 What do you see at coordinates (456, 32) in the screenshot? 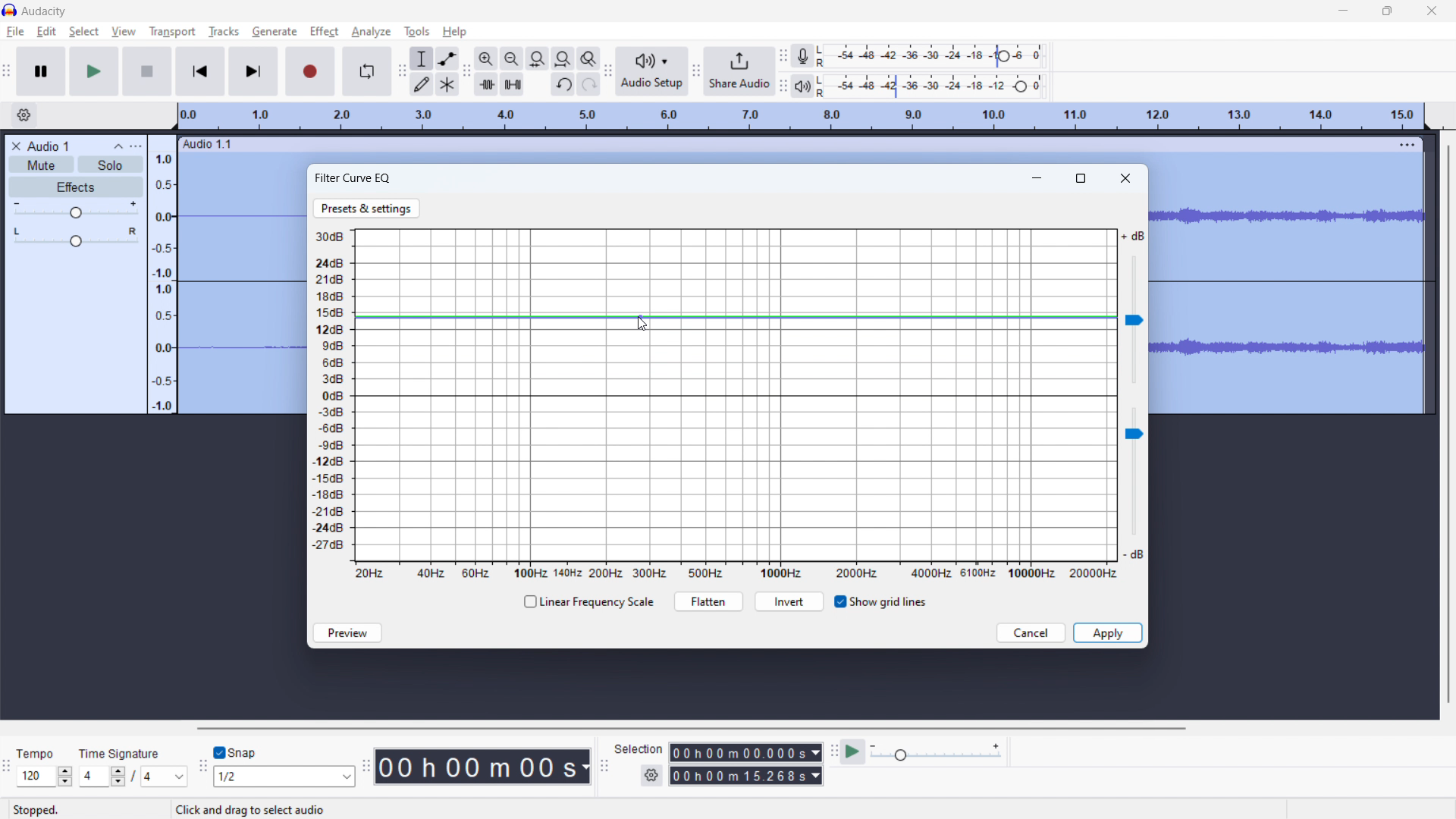
I see `help` at bounding box center [456, 32].